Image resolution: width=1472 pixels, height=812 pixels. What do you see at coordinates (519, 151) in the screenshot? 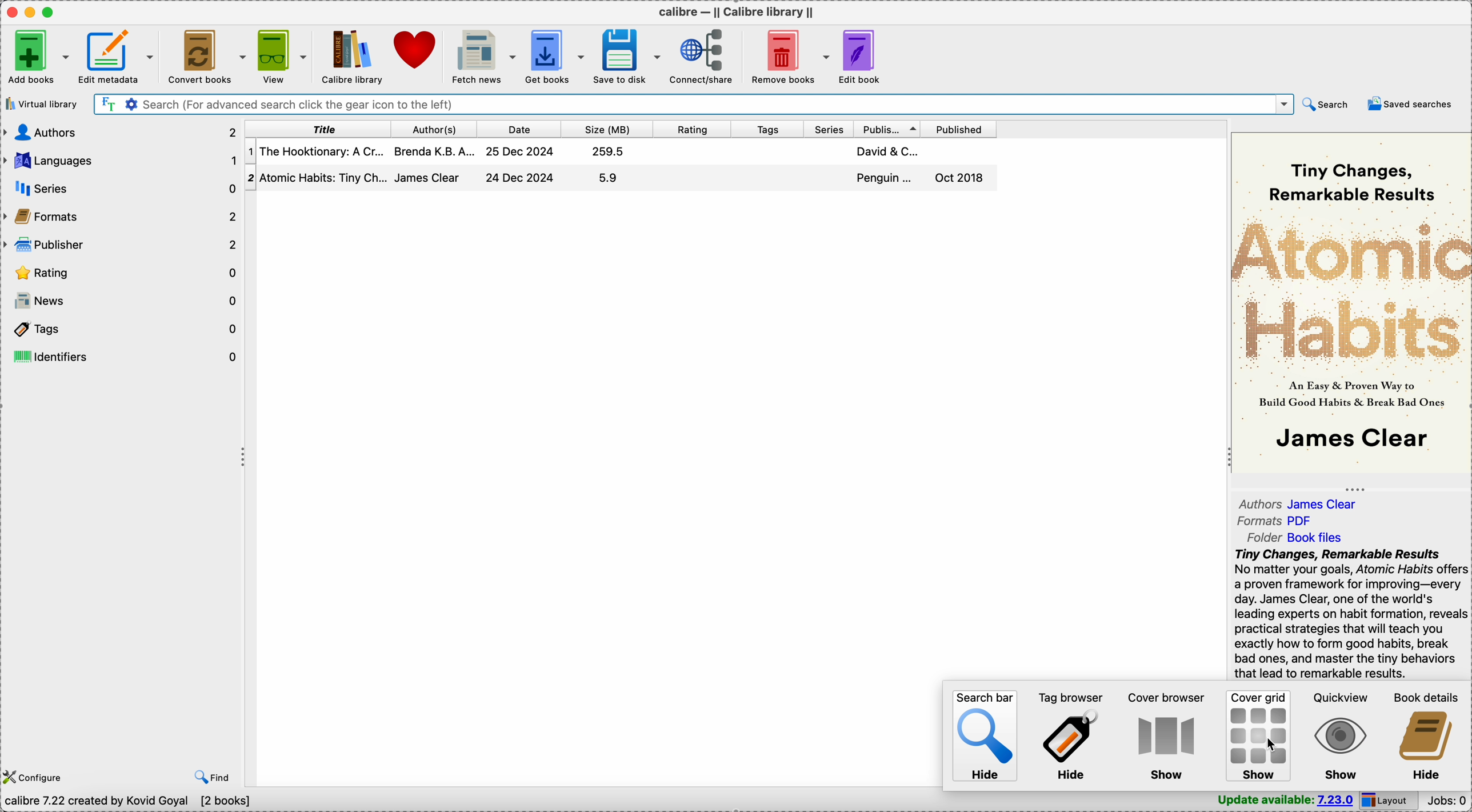
I see `25 Dec 2024` at bounding box center [519, 151].